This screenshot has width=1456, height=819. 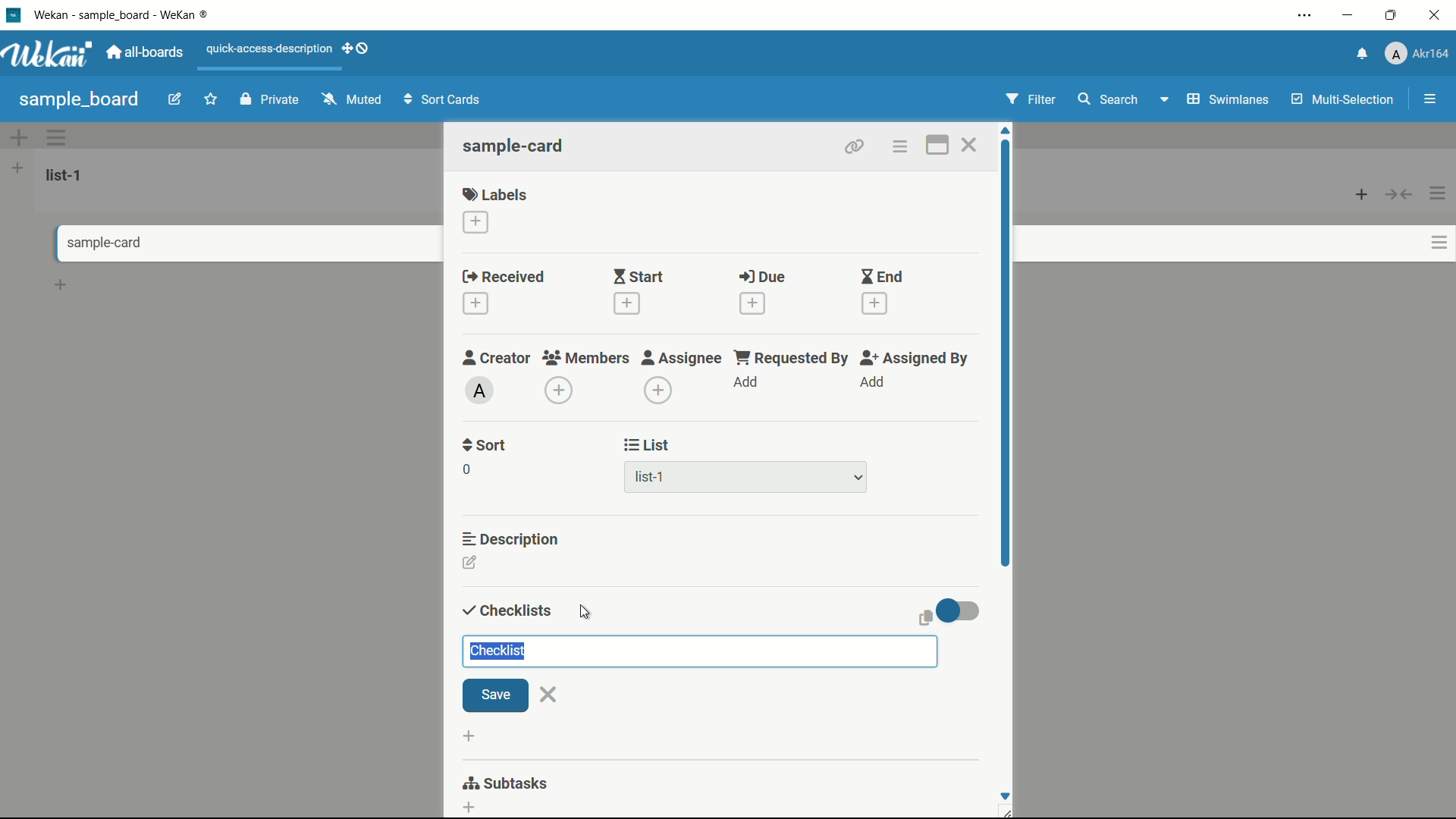 What do you see at coordinates (175, 101) in the screenshot?
I see `edit` at bounding box center [175, 101].